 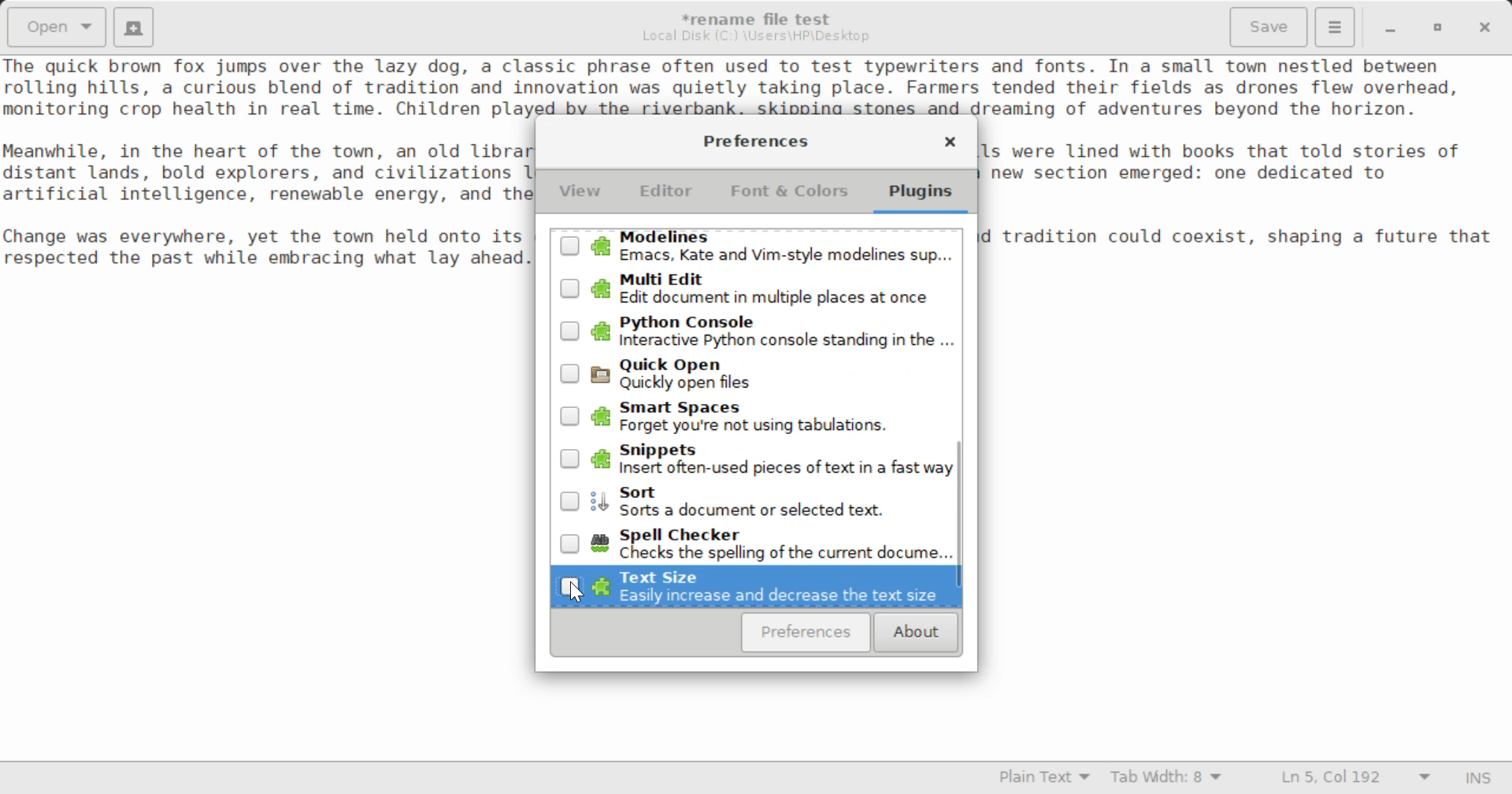 I want to click on Modelines Plugin Unselected, so click(x=754, y=248).